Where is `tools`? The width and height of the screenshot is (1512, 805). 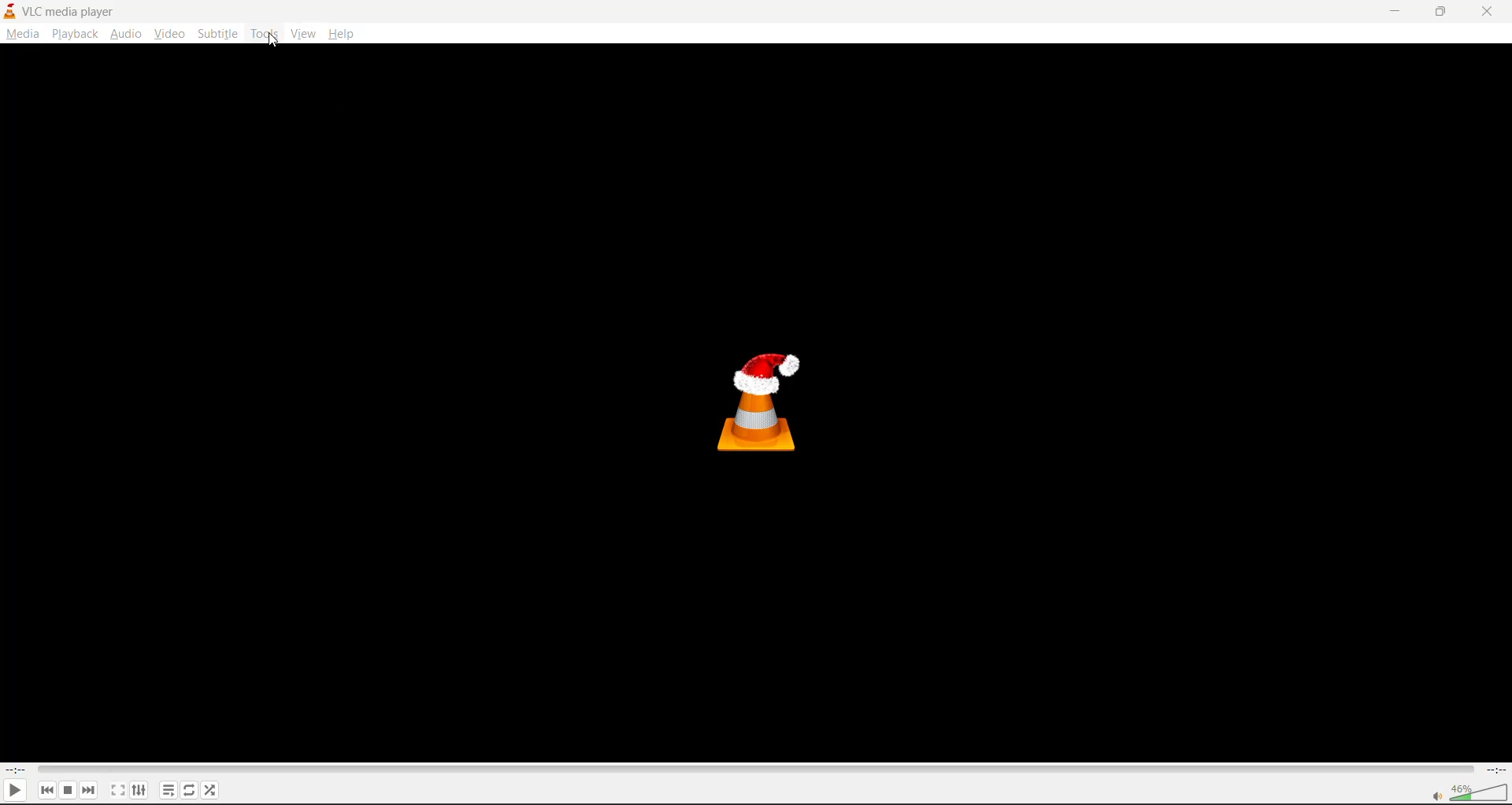 tools is located at coordinates (265, 35).